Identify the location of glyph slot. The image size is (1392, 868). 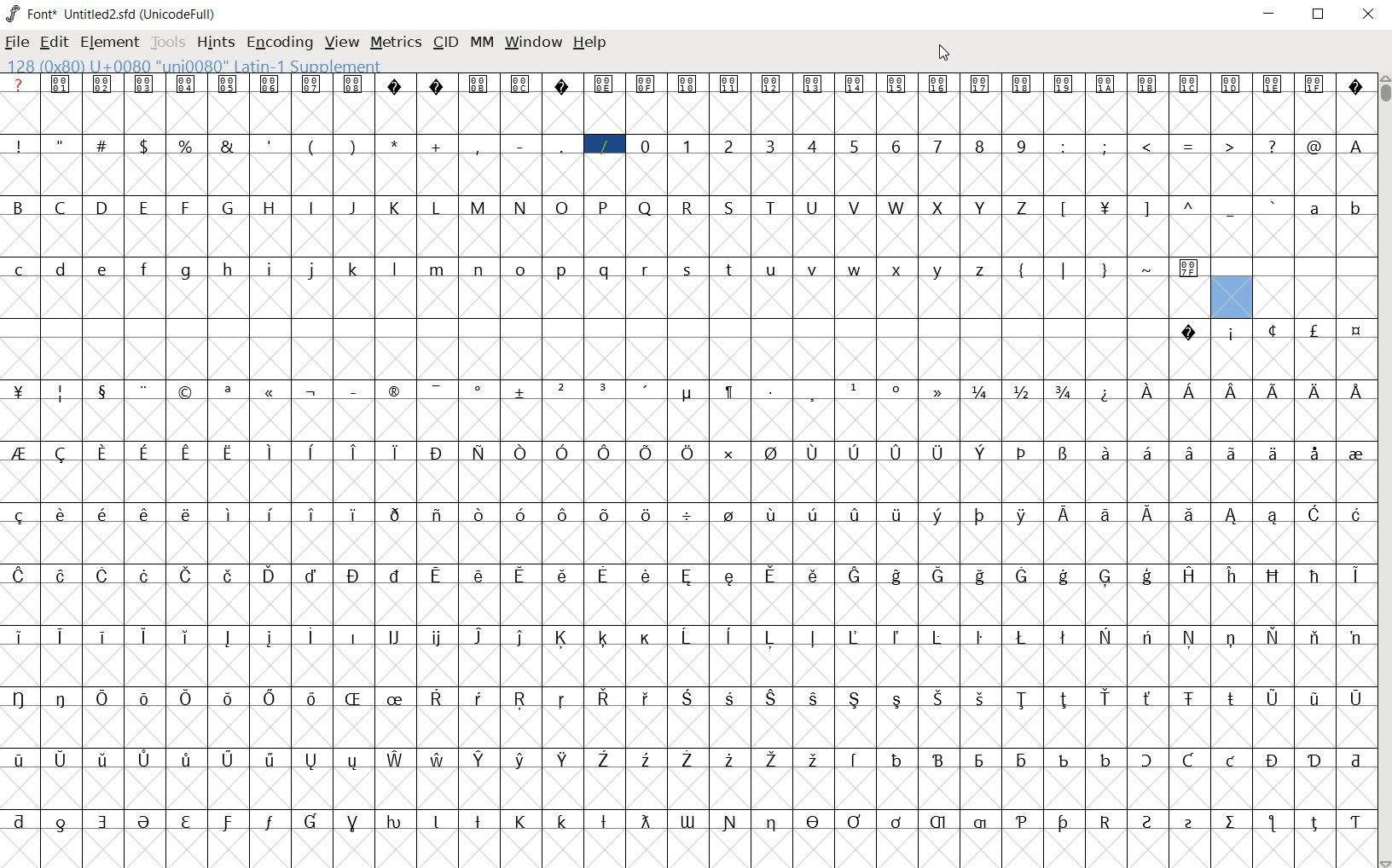
(1229, 297).